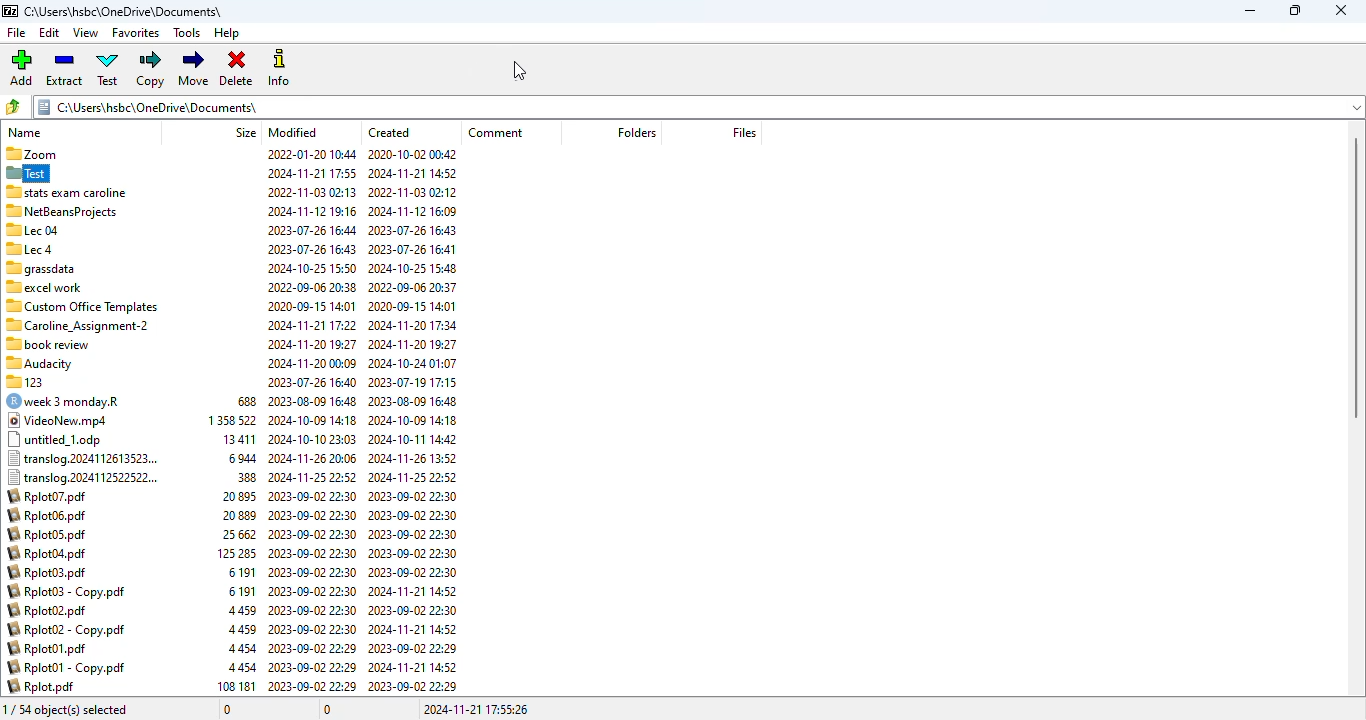 The height and width of the screenshot is (720, 1366). Describe the element at coordinates (30, 154) in the screenshot. I see `Zoom` at that location.